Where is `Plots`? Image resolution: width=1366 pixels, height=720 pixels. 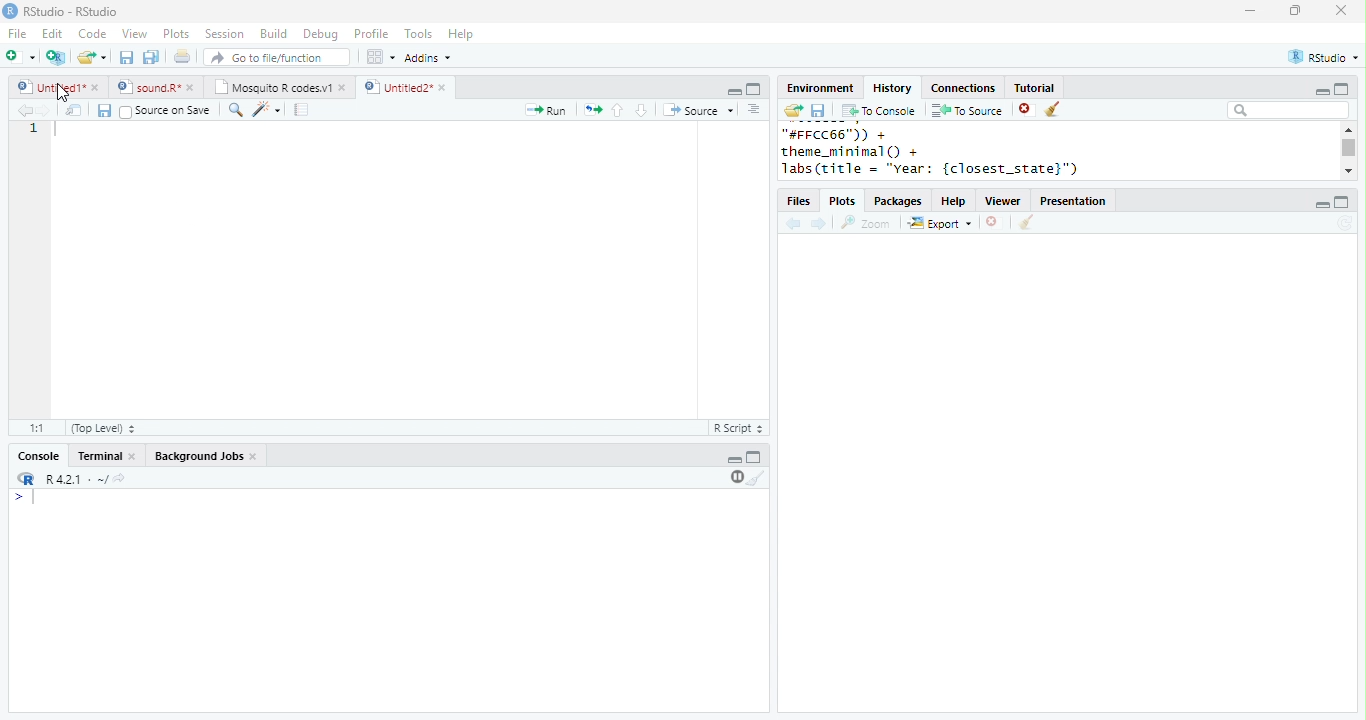 Plots is located at coordinates (177, 34).